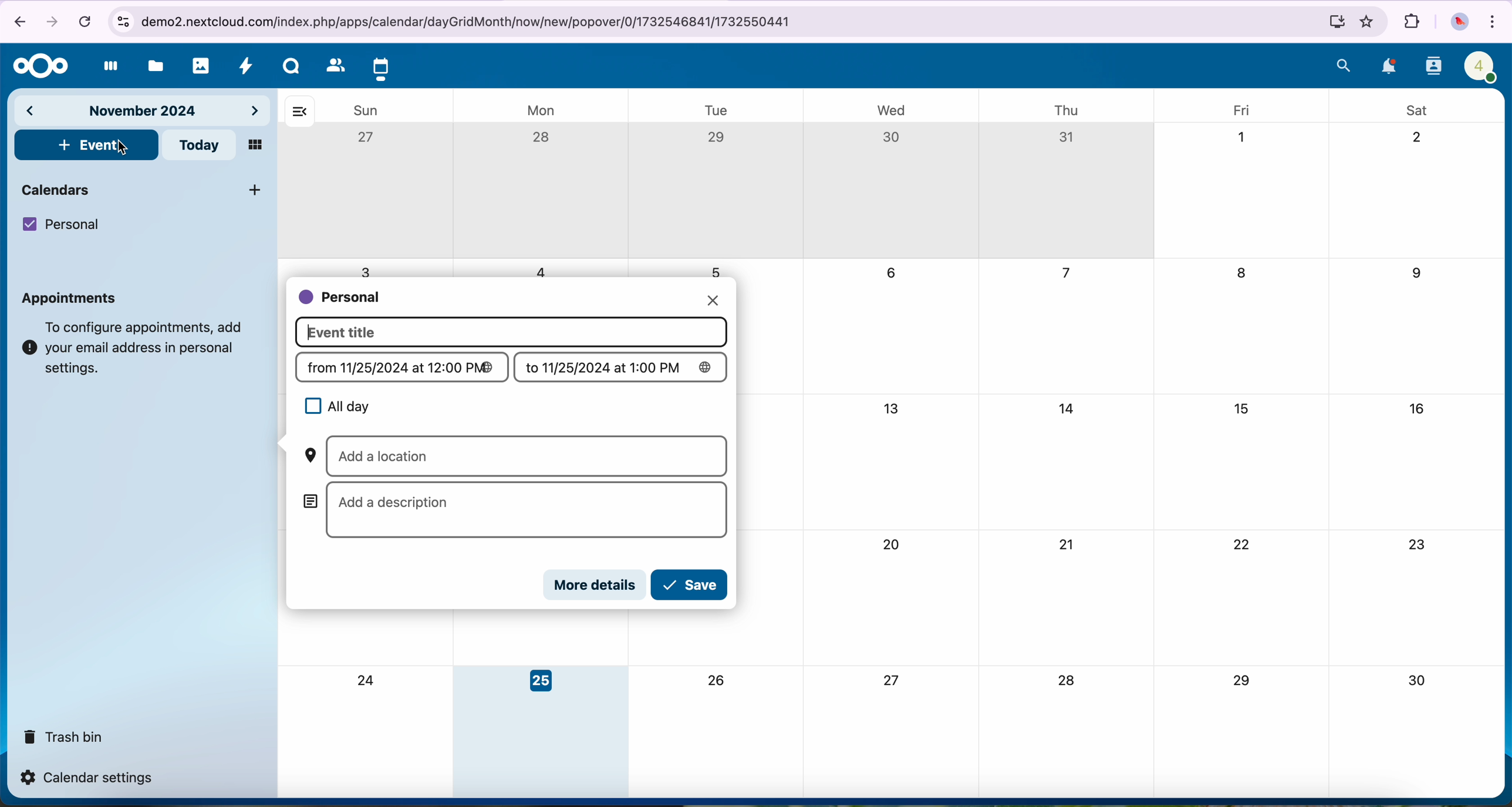 The width and height of the screenshot is (1512, 807). I want to click on navigate back, so click(20, 21).